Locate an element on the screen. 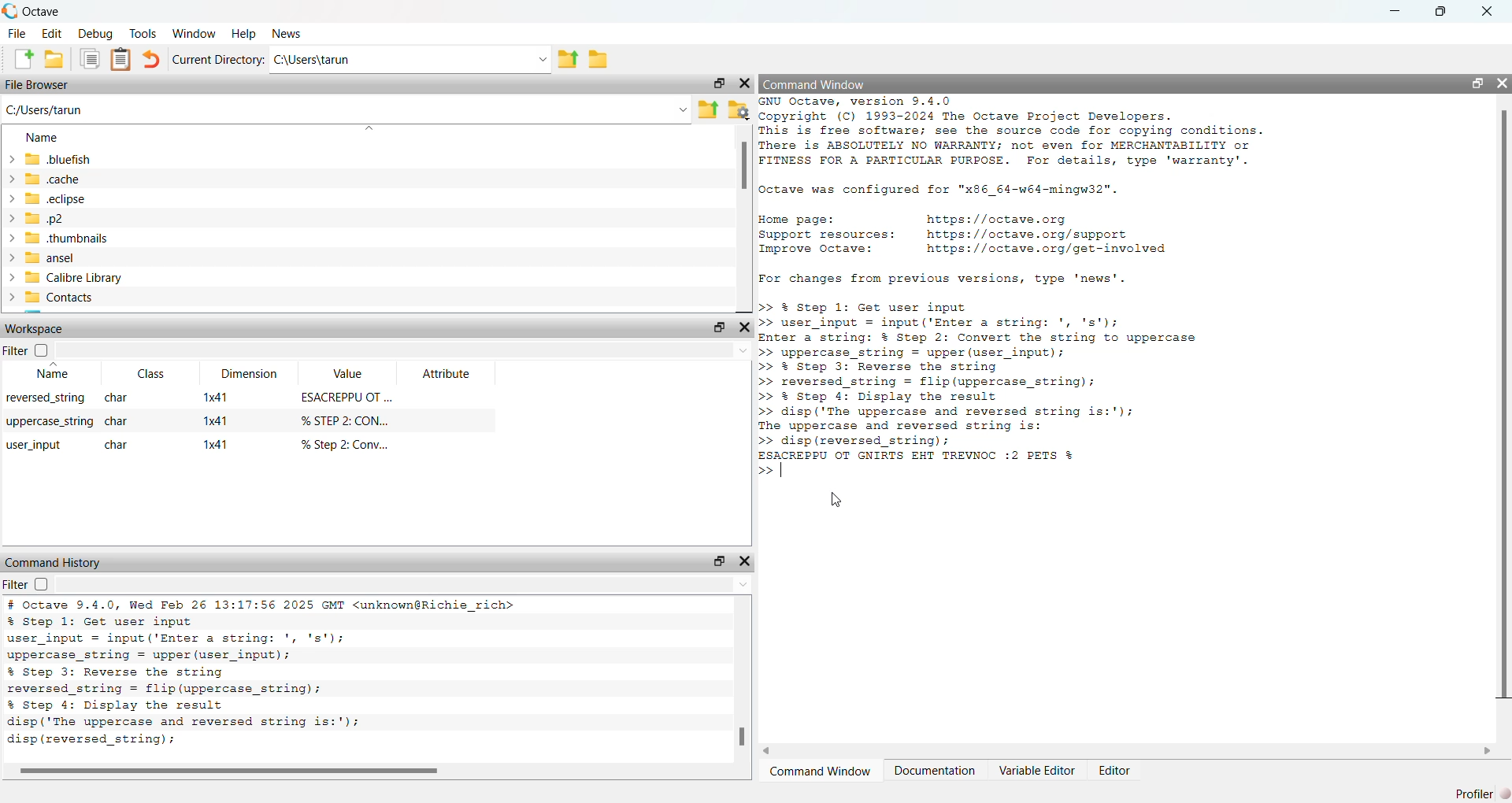  move right is located at coordinates (1488, 750).